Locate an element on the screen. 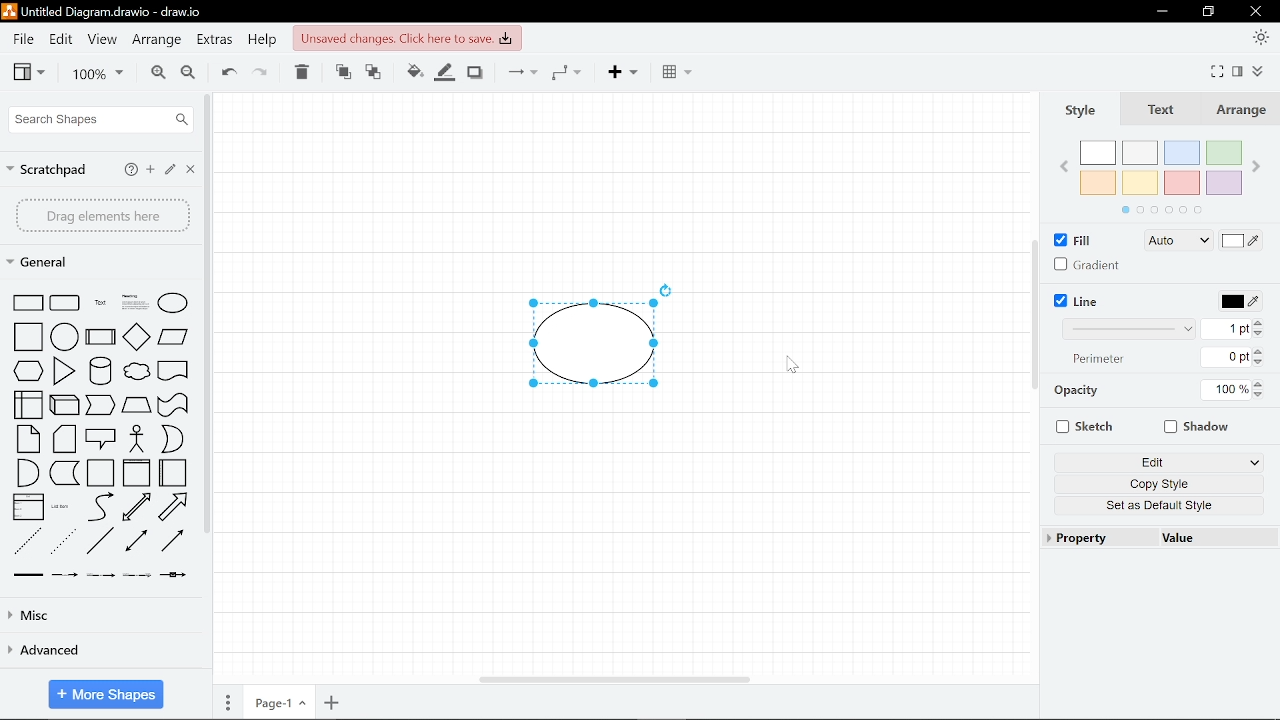 The width and height of the screenshot is (1280, 720). Tooltip added is located at coordinates (614, 342).